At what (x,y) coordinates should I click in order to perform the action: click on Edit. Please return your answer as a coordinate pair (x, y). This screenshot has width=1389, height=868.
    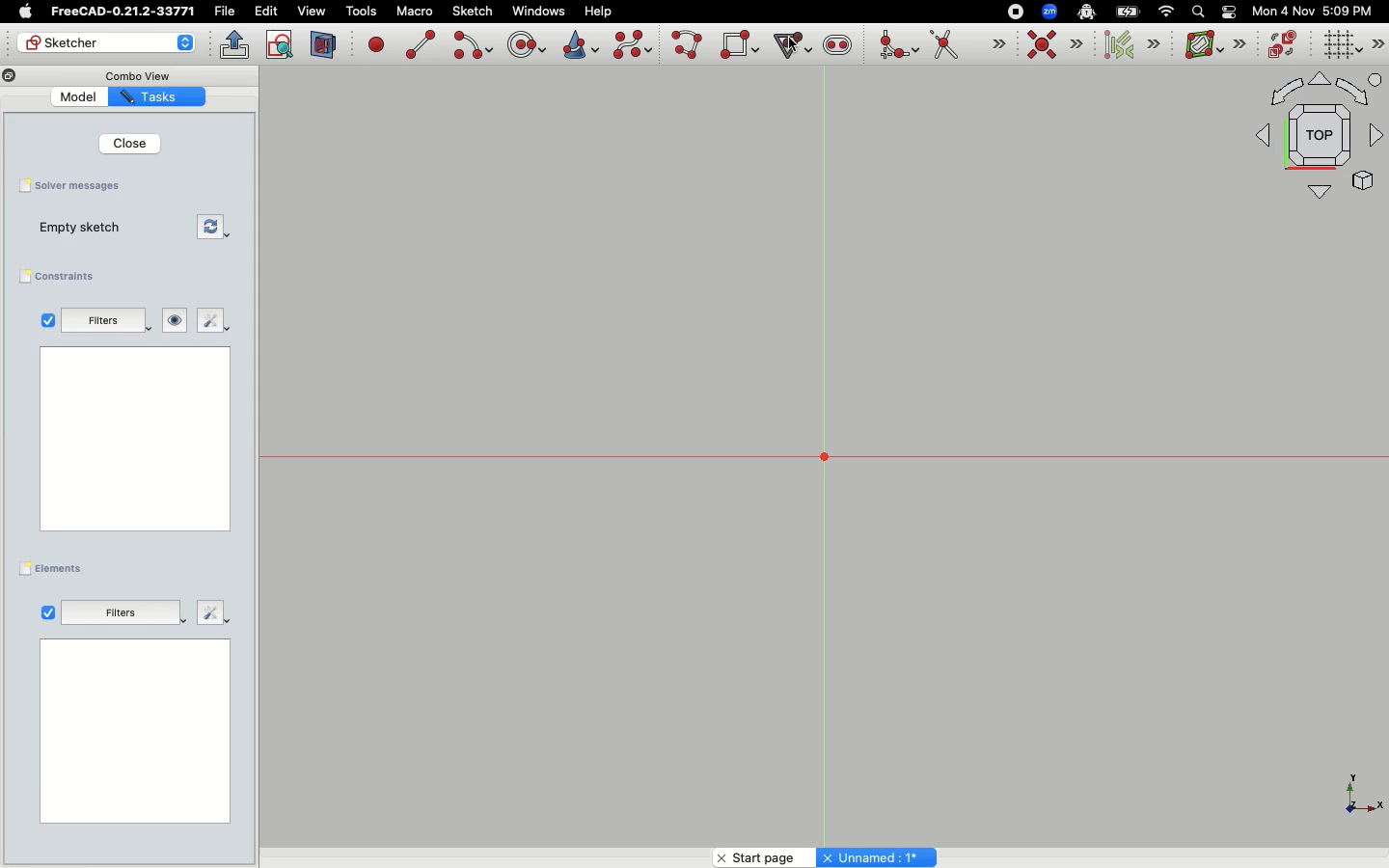
    Looking at the image, I should click on (266, 12).